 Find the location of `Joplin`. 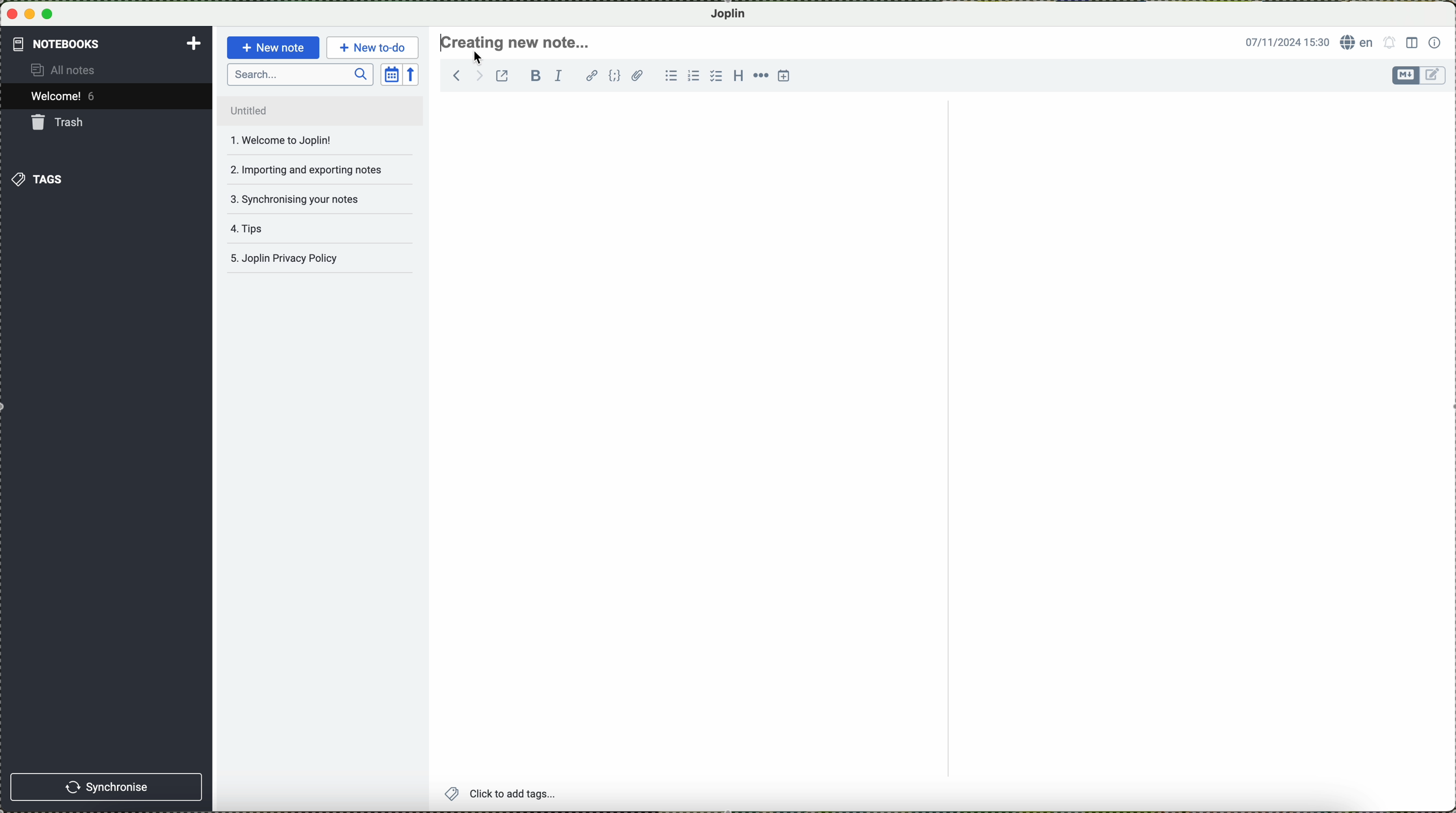

Joplin is located at coordinates (734, 13).